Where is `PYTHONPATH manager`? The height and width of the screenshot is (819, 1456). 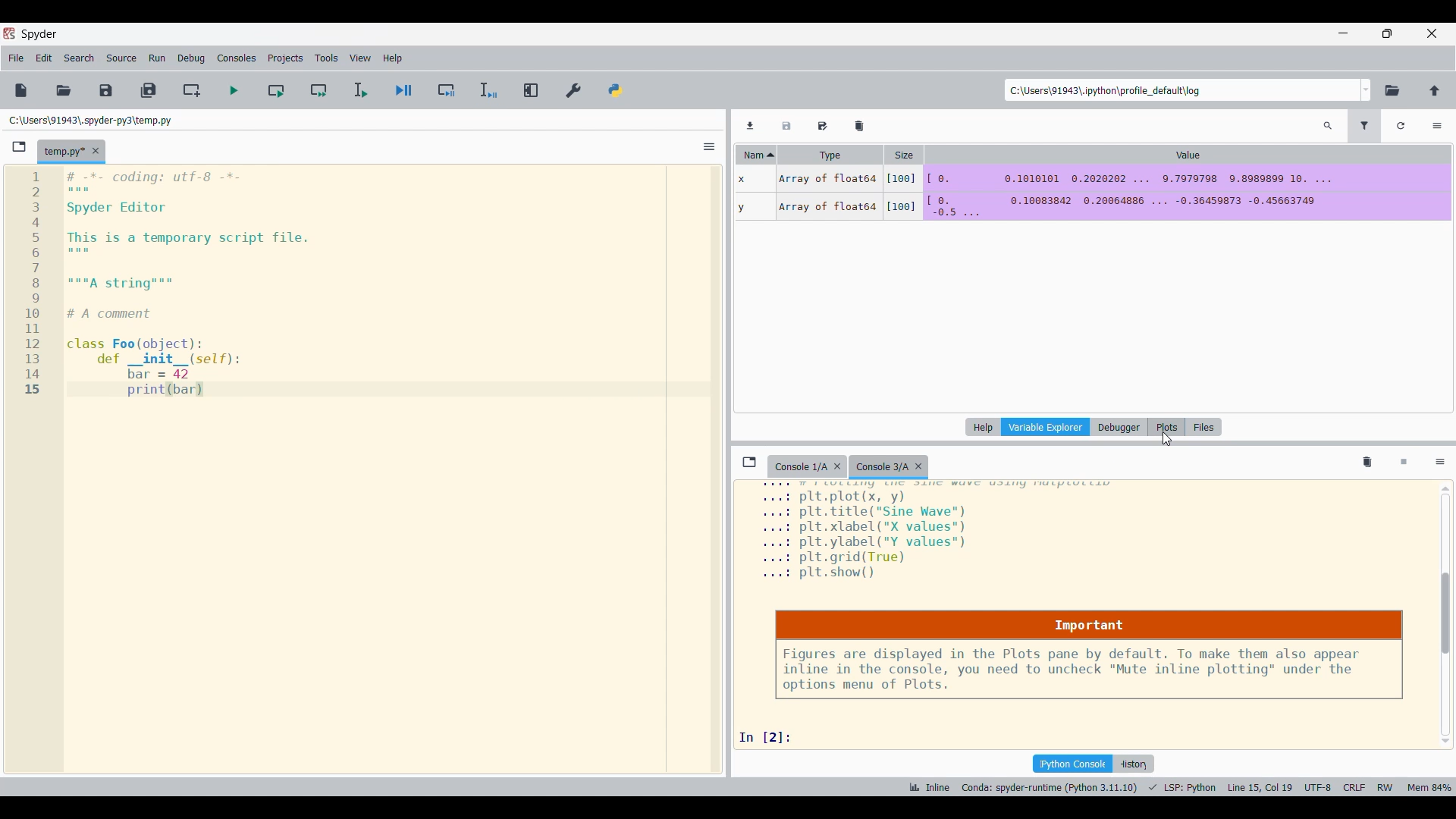 PYTHONPATH manager is located at coordinates (616, 90).